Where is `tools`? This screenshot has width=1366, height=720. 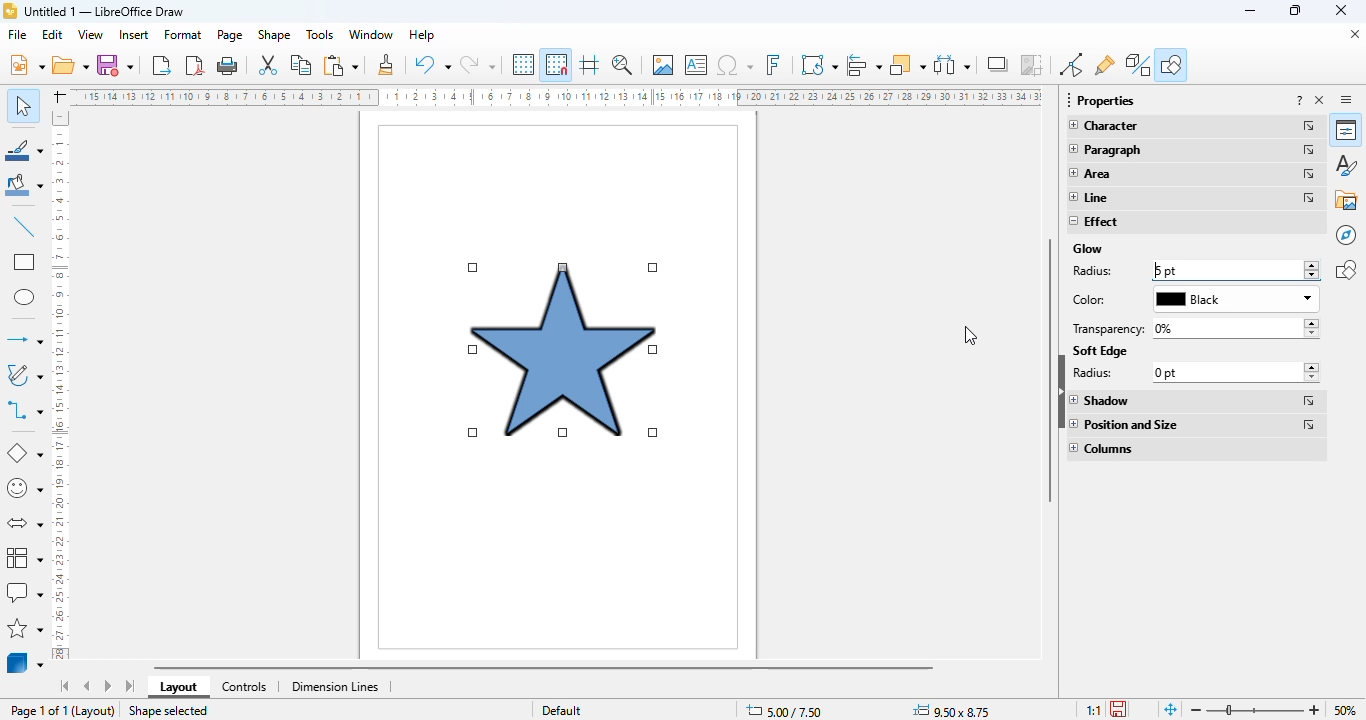 tools is located at coordinates (320, 35).